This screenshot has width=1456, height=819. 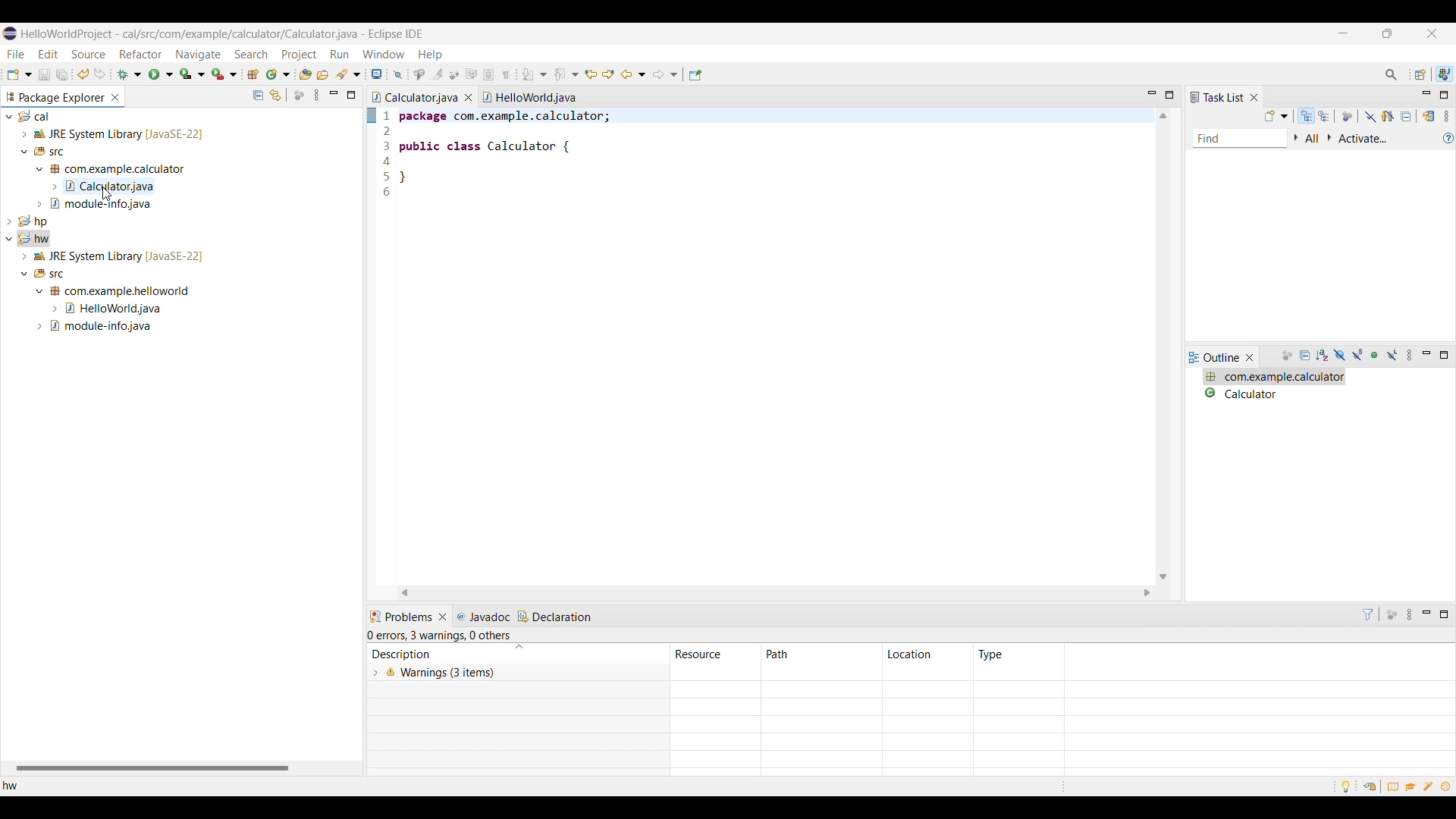 I want to click on Minimize, so click(x=1428, y=615).